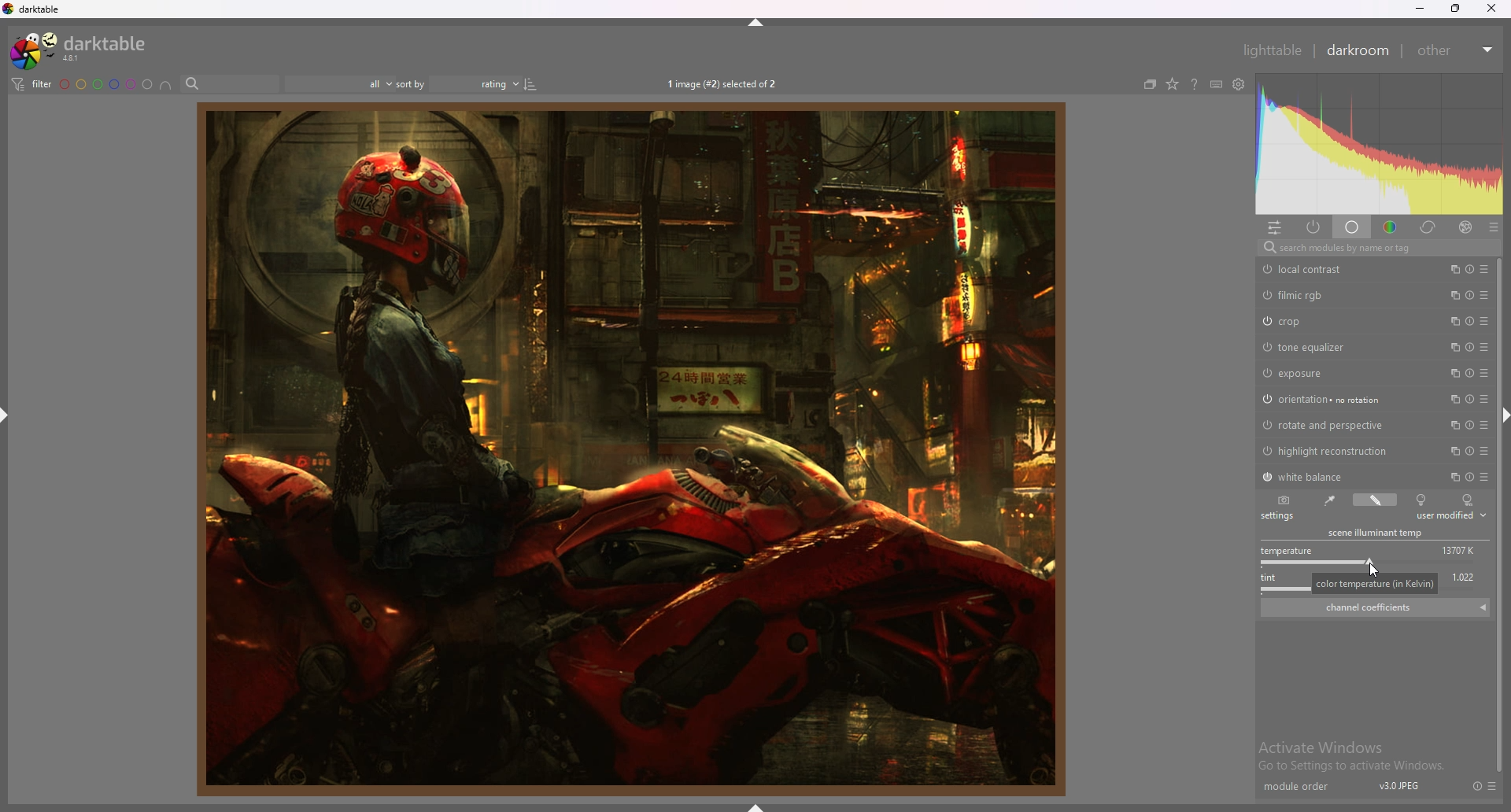 The image size is (1511, 812). Describe the element at coordinates (1453, 426) in the screenshot. I see `multiple instances action` at that location.